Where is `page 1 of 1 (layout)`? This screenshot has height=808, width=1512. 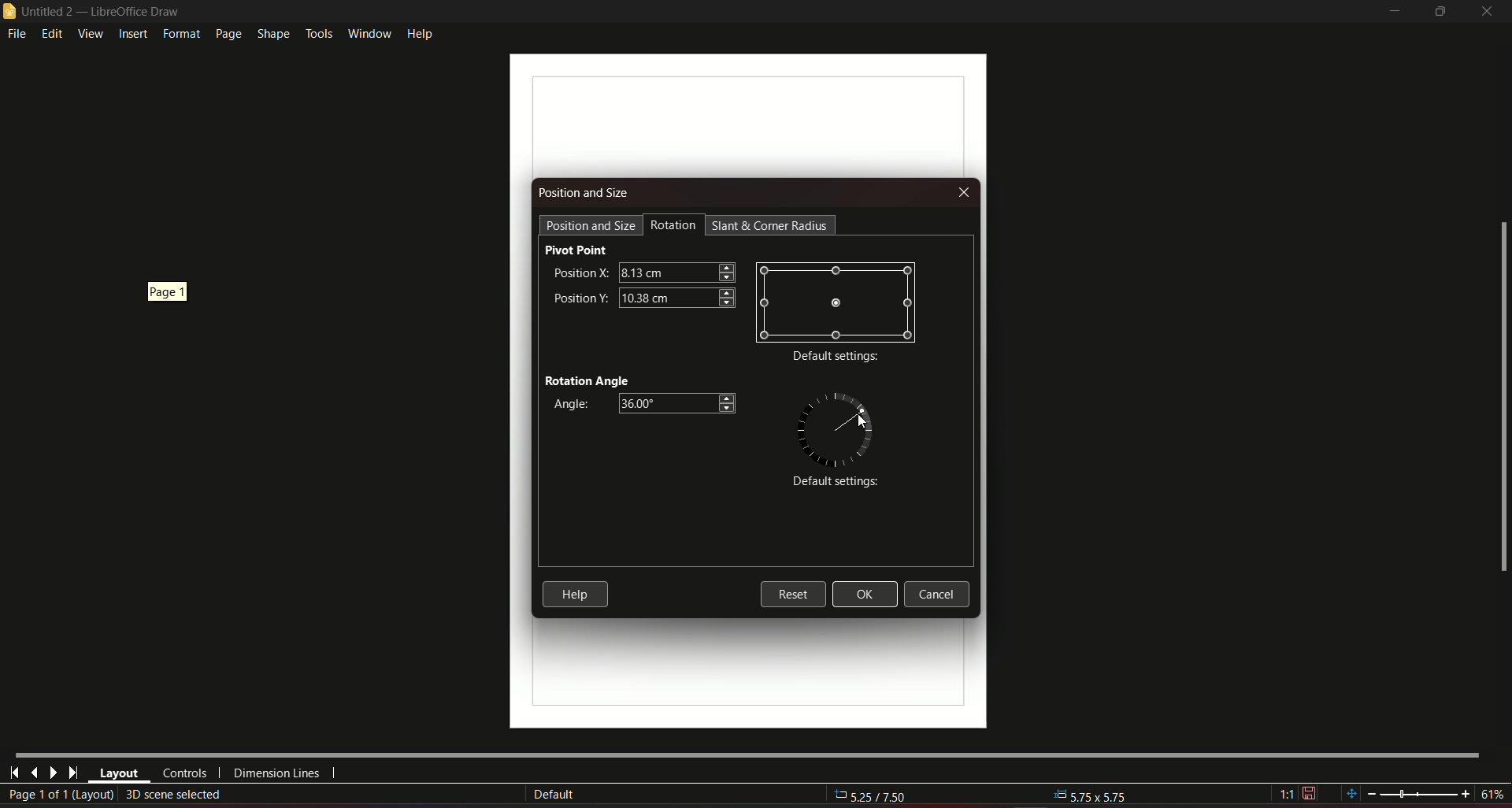 page 1 of 1 (layout) is located at coordinates (60, 795).